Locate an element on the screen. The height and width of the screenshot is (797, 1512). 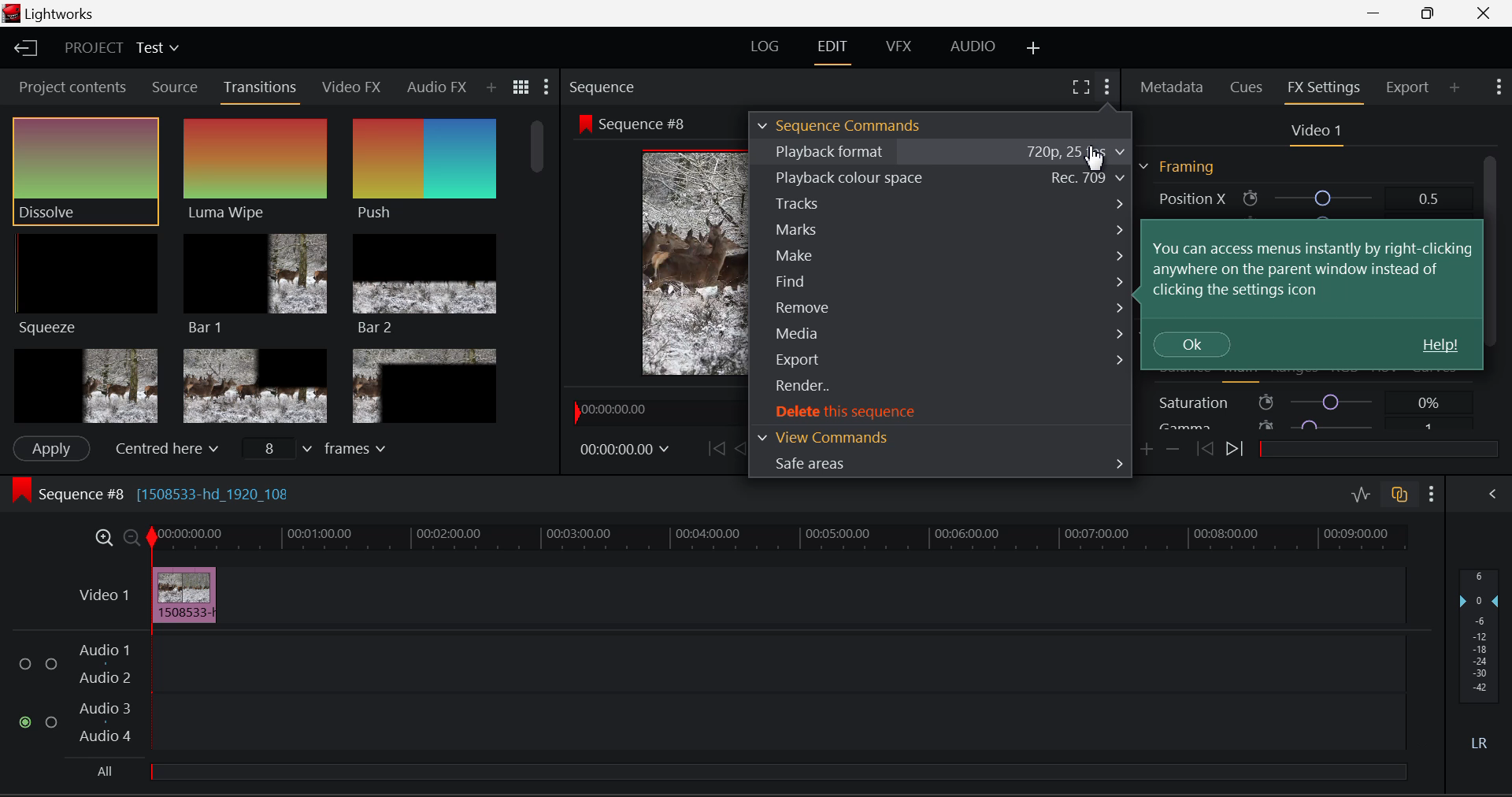
Restore Down is located at coordinates (1379, 13).